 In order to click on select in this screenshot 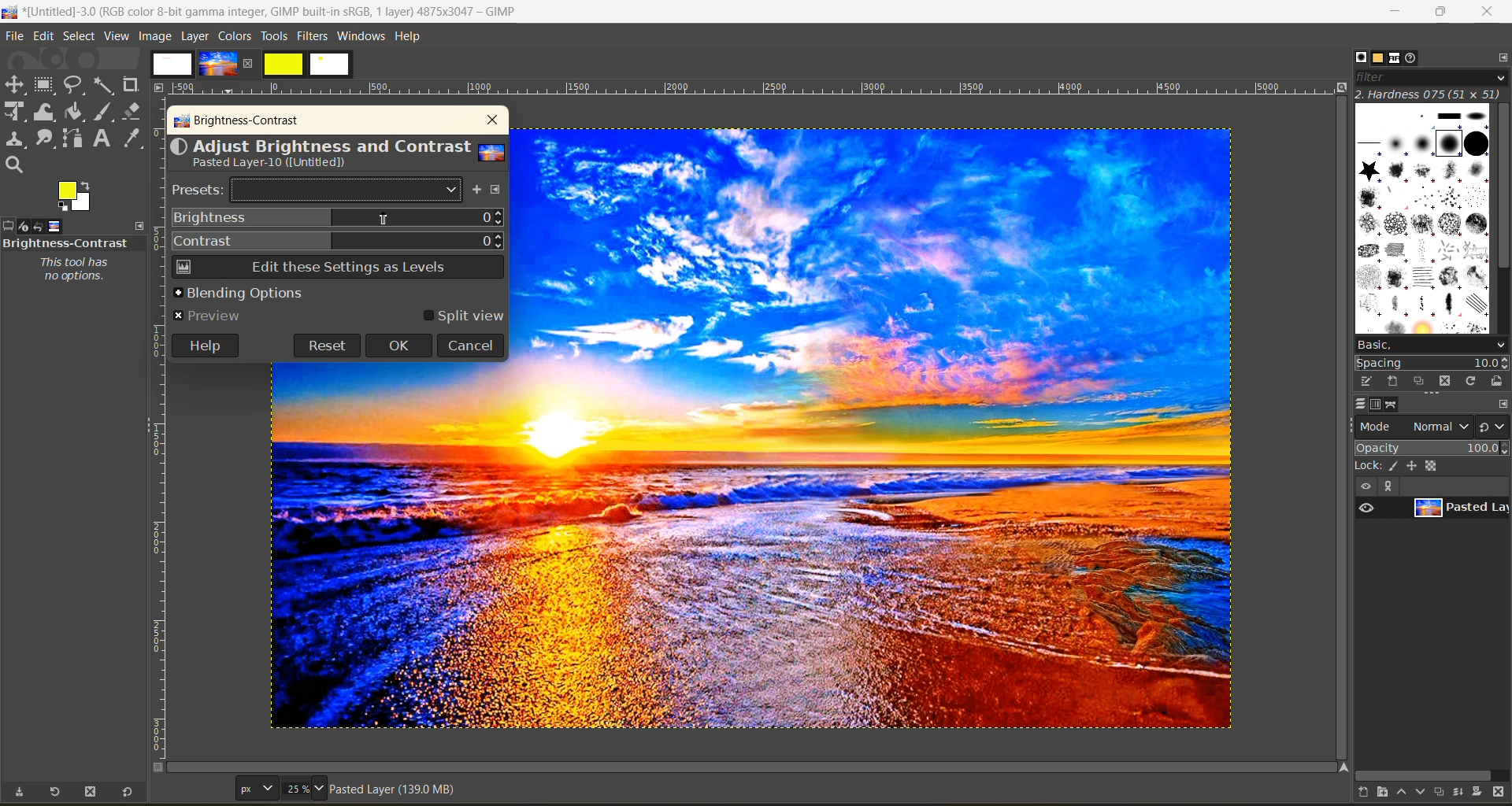, I will do `click(81, 37)`.